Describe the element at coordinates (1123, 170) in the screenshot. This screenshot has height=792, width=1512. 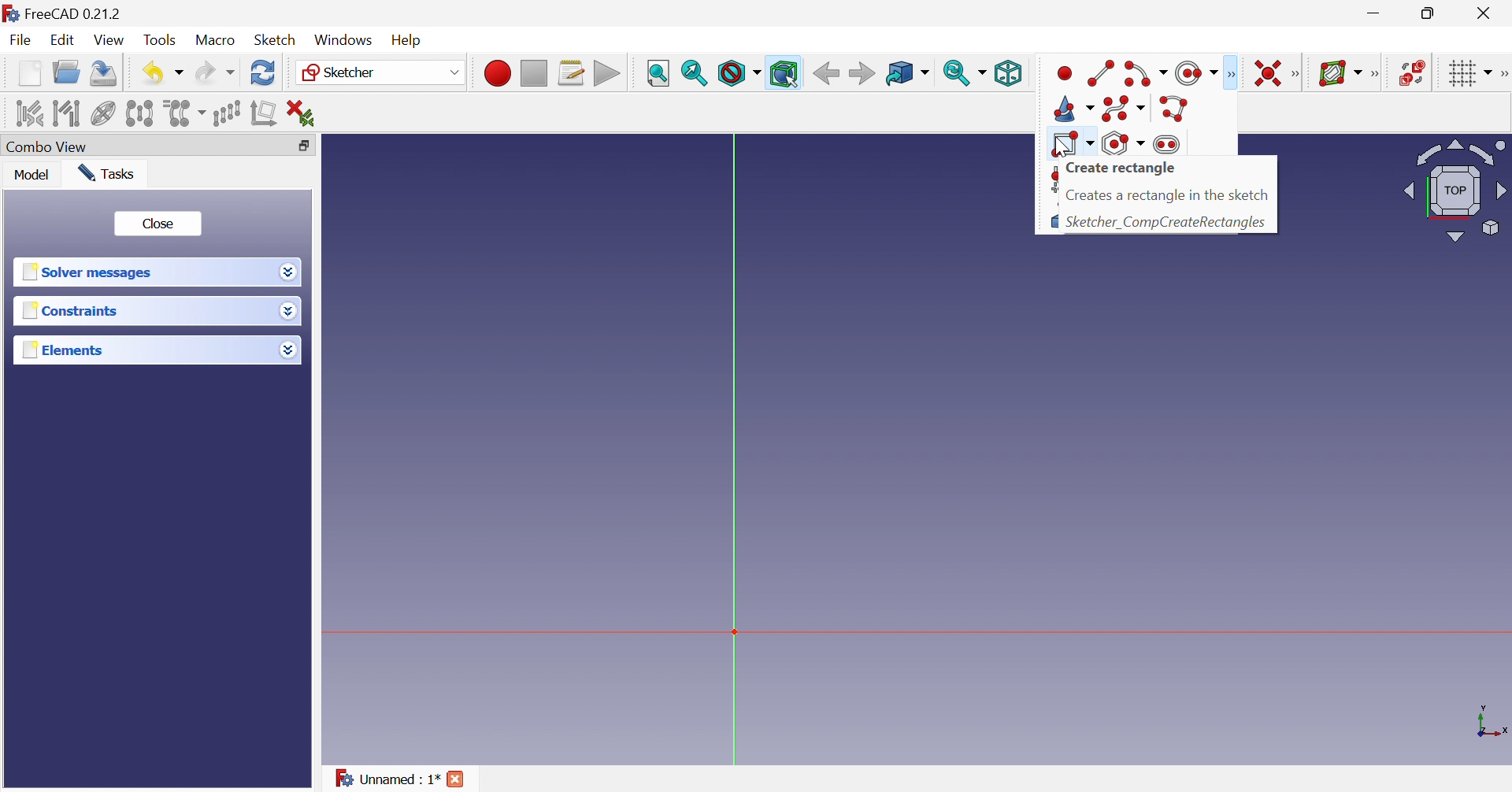
I see `Create rectangle` at that location.